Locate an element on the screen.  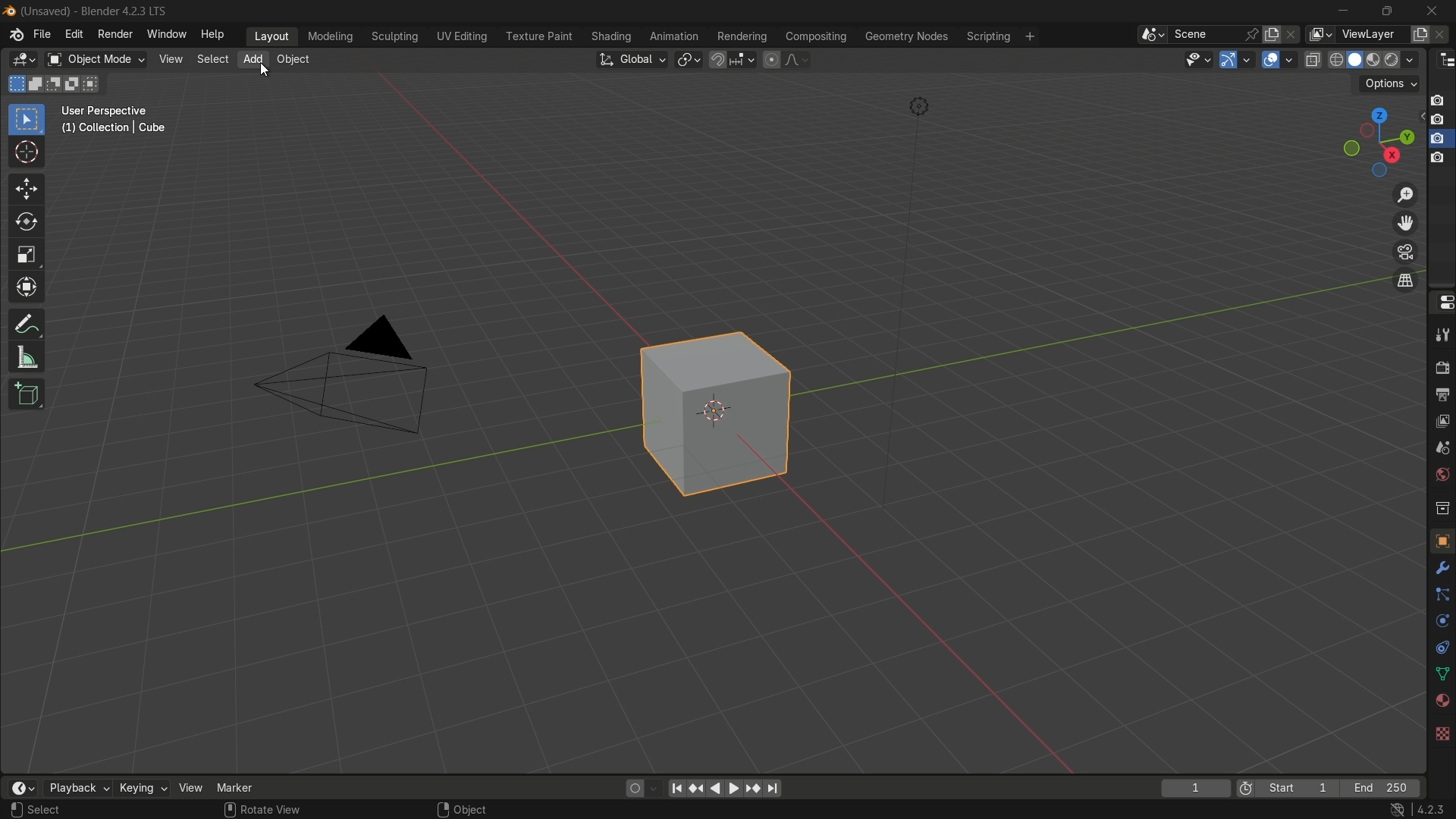
zoom in/out is located at coordinates (1405, 194).